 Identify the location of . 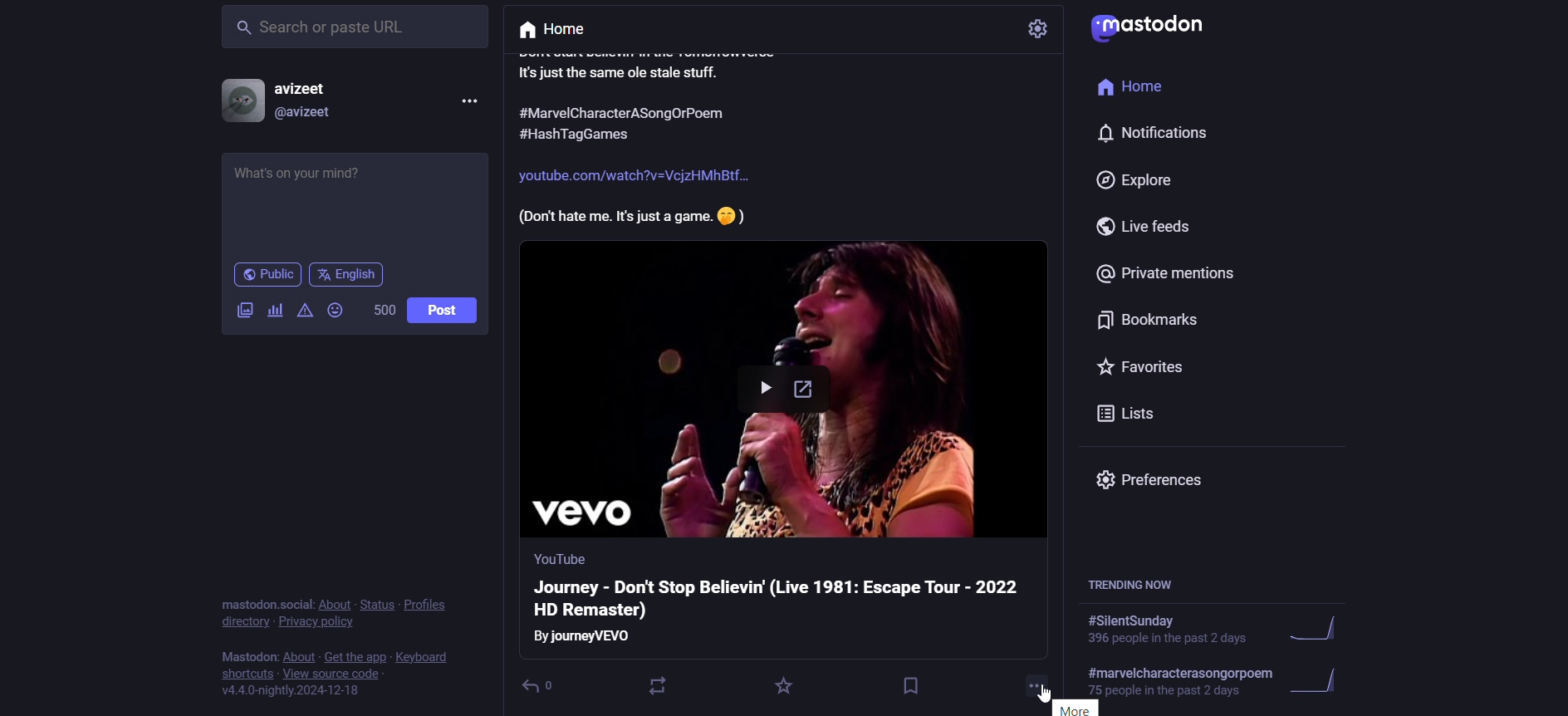
(625, 114).